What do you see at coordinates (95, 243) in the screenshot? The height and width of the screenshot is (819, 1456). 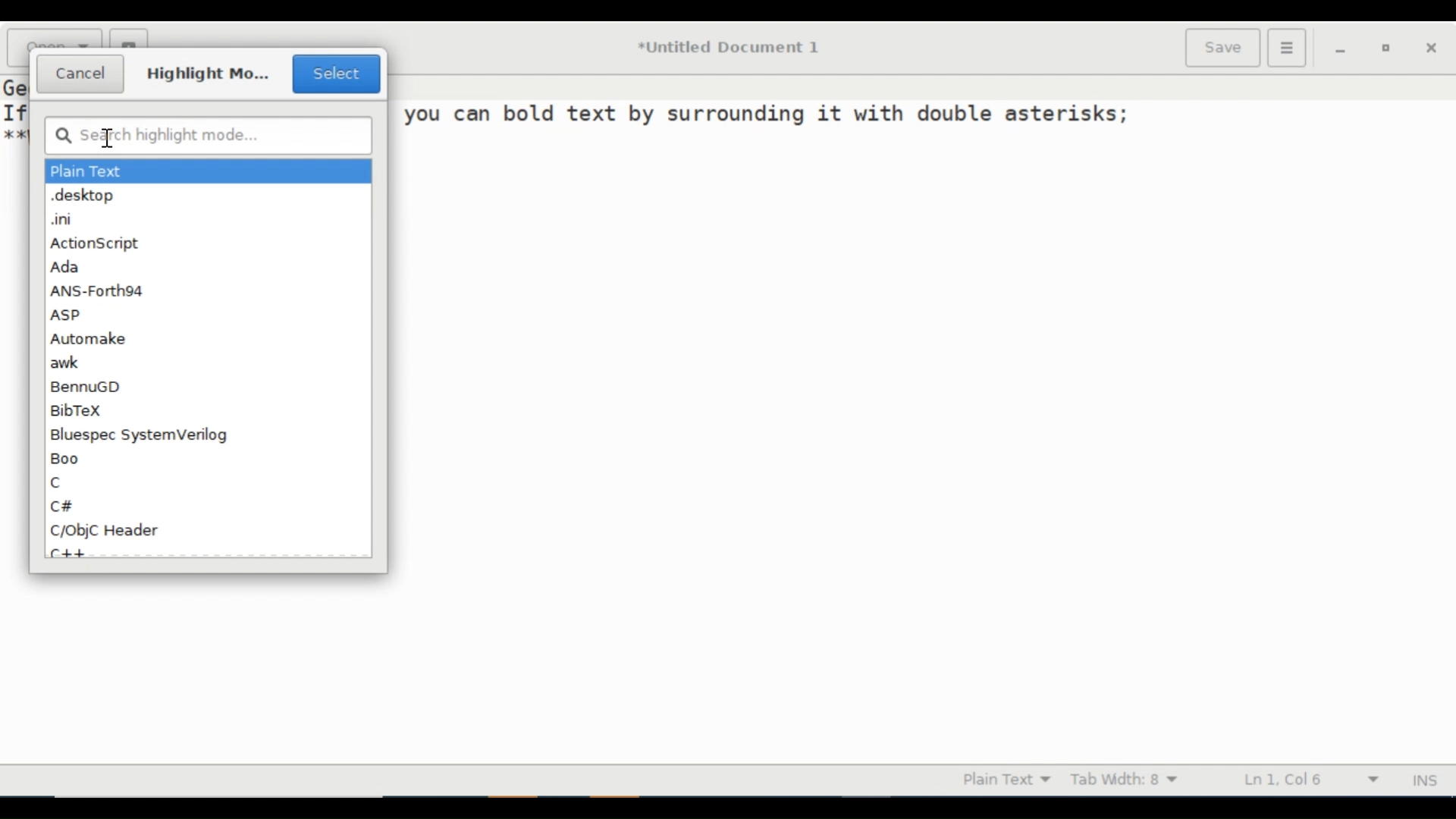 I see `ActionScript` at bounding box center [95, 243].